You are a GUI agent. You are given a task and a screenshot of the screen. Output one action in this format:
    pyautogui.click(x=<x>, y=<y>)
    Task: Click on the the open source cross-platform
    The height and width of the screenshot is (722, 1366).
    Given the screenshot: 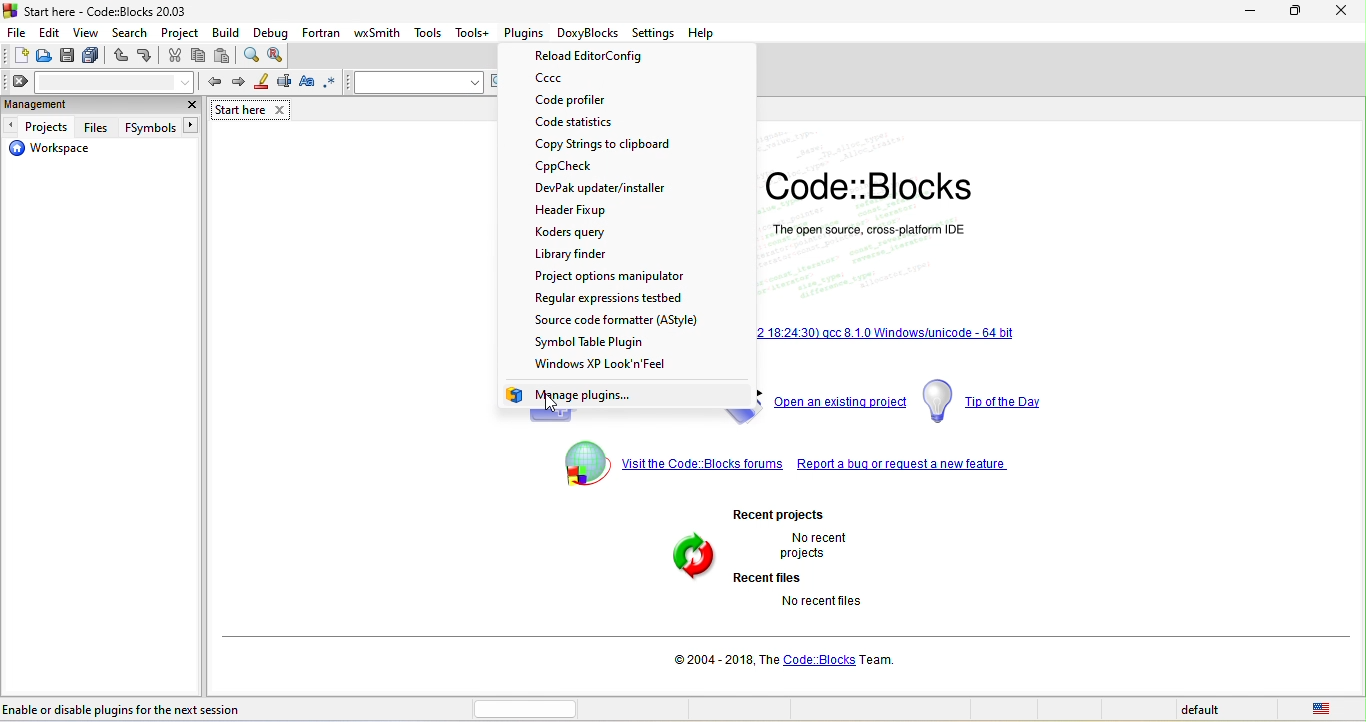 What is the action you would take?
    pyautogui.click(x=871, y=228)
    